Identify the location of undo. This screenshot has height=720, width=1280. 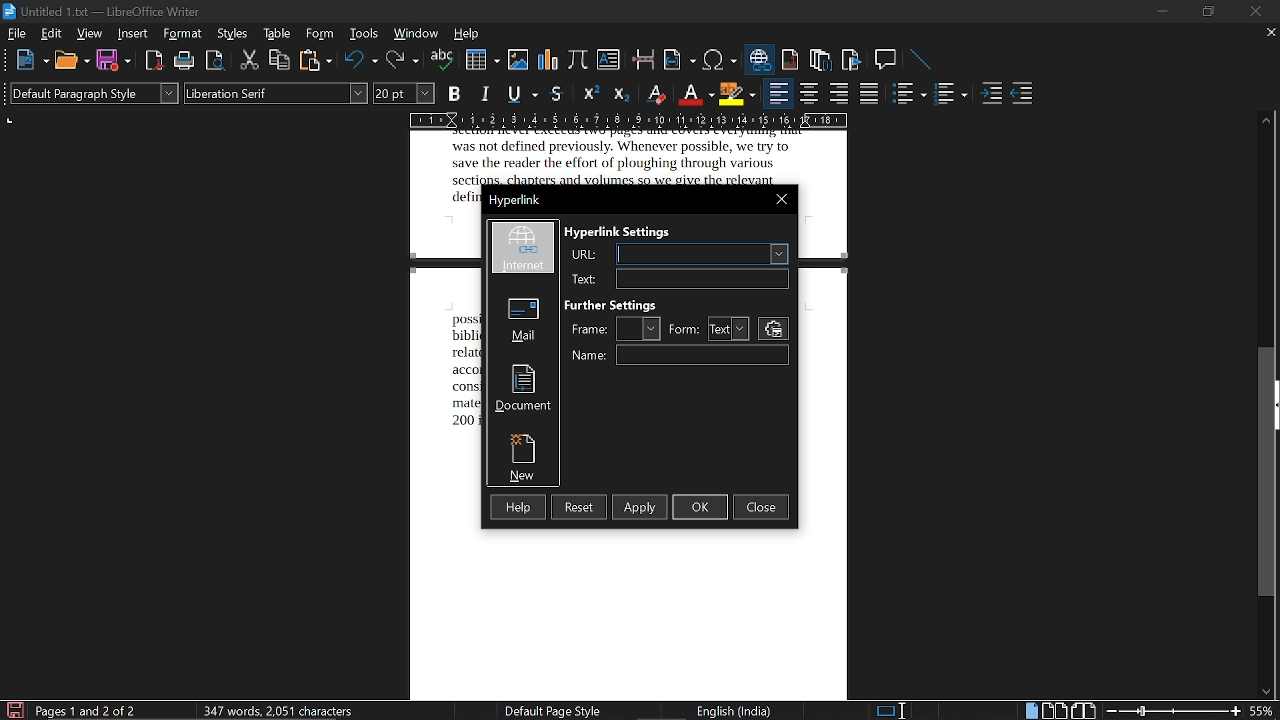
(361, 61).